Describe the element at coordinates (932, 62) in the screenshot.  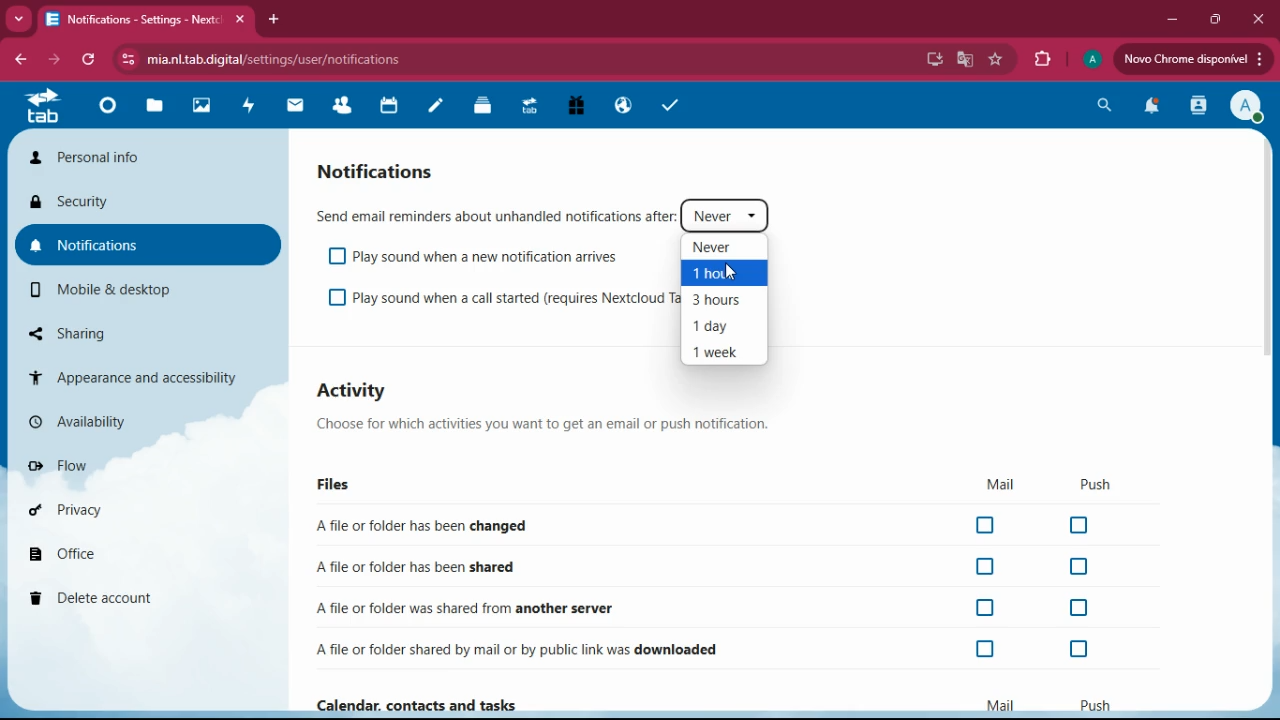
I see `desktop` at that location.